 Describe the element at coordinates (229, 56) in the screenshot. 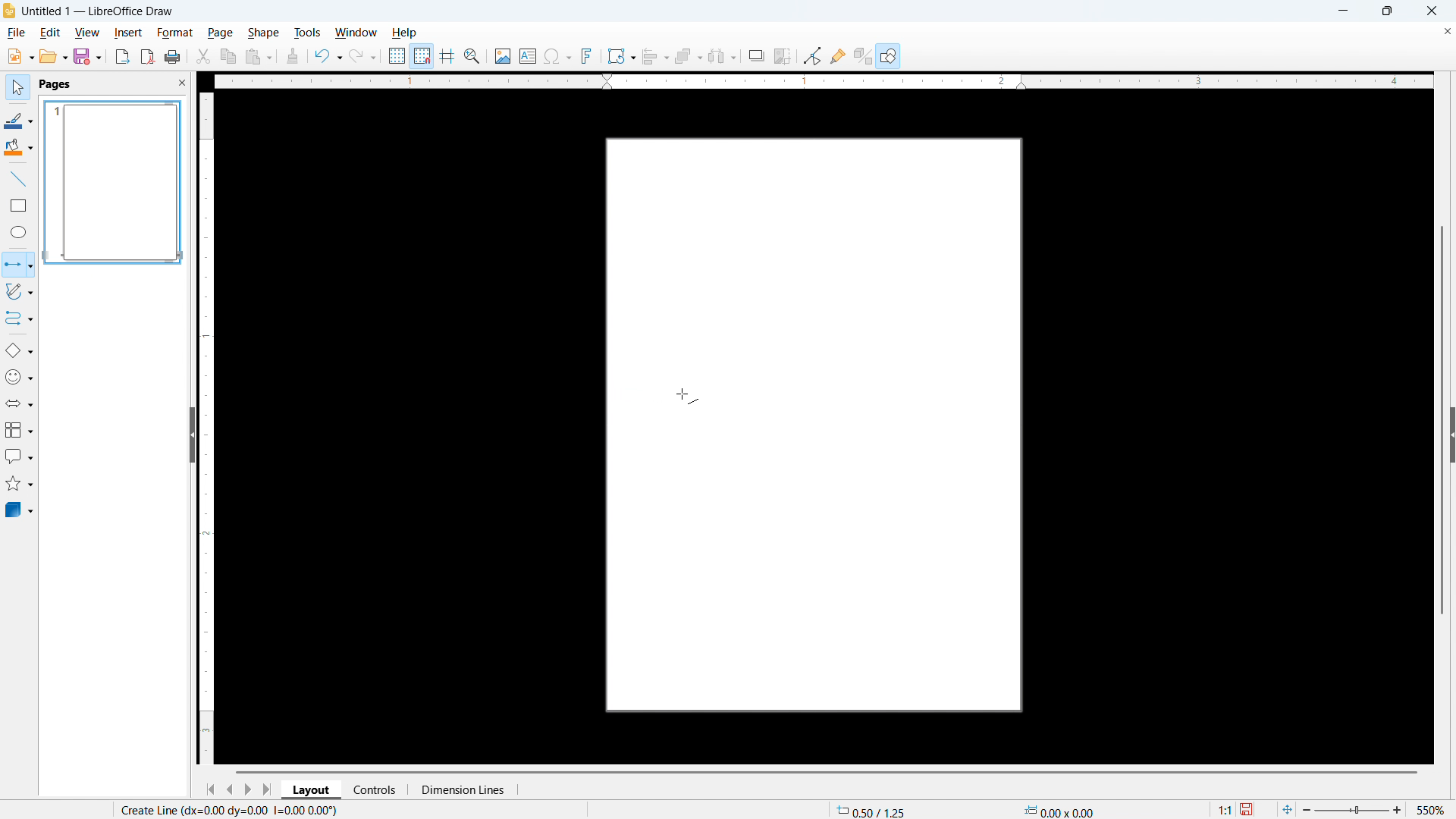

I see `Copy ` at that location.